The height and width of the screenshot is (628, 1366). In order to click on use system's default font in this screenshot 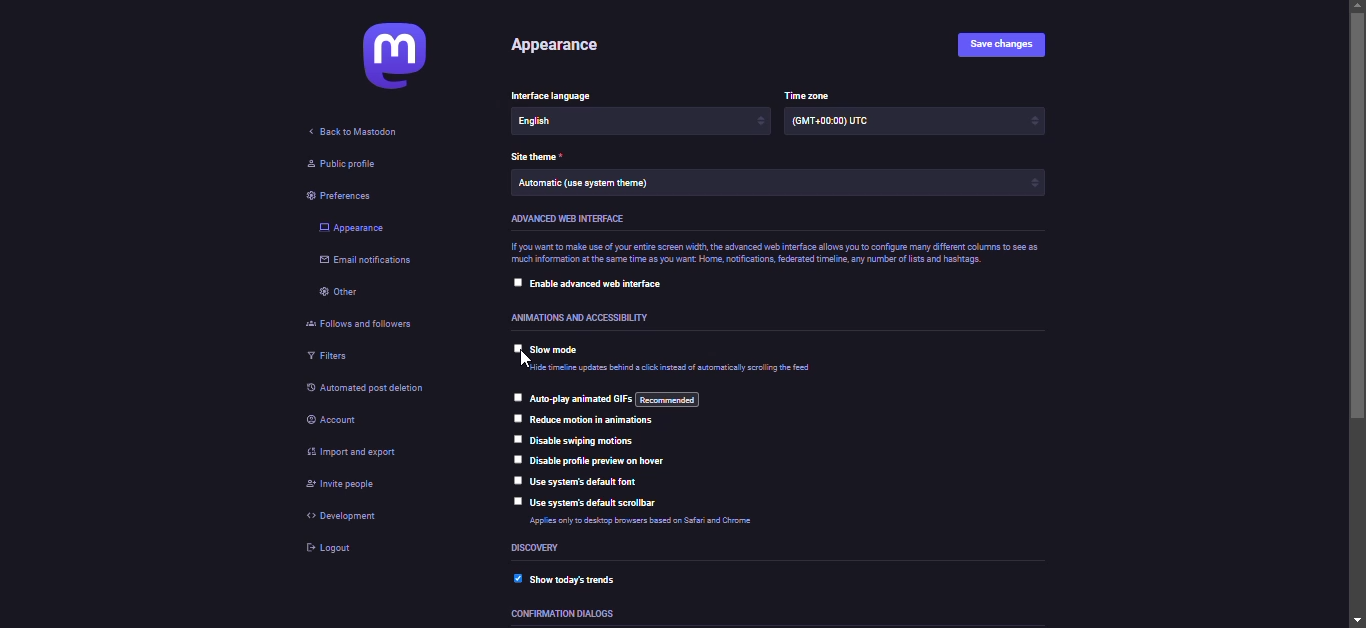, I will do `click(585, 483)`.